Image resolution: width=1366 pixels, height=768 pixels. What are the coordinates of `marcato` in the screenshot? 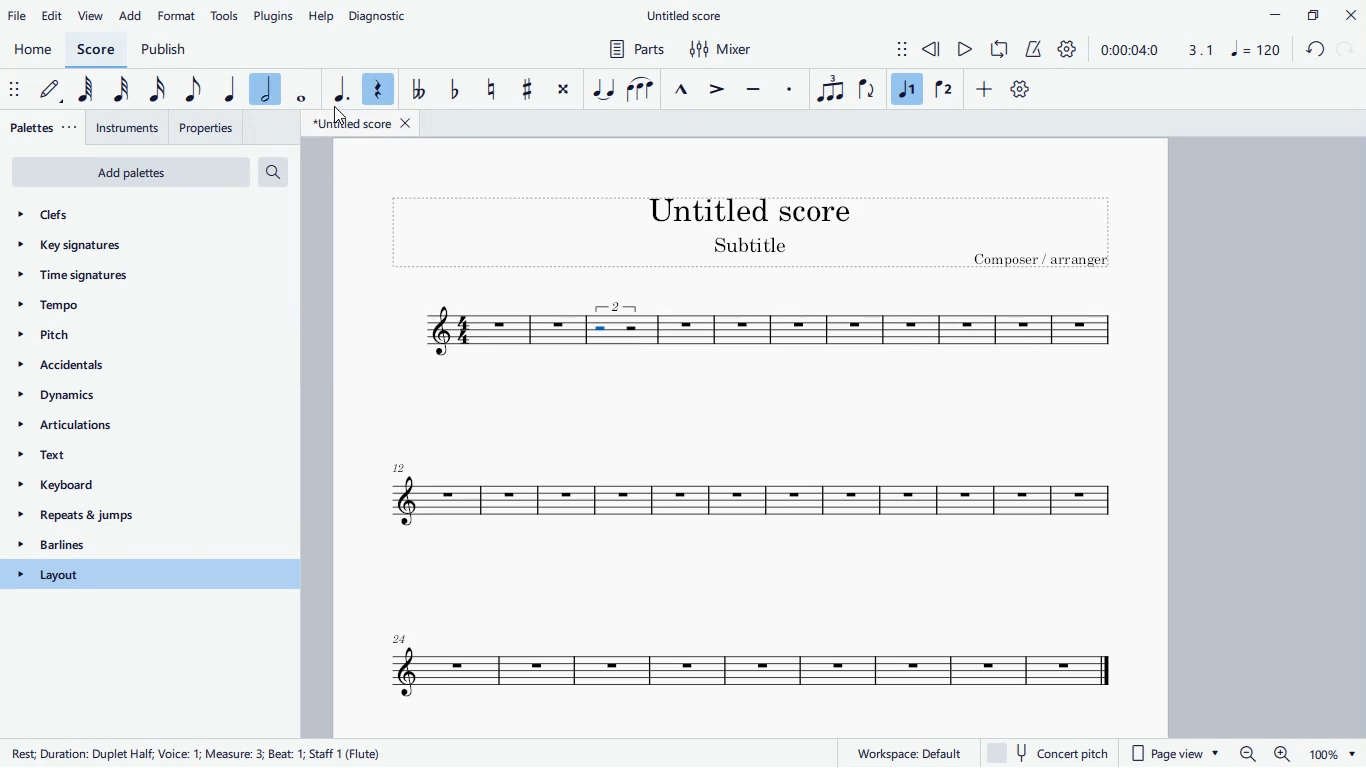 It's located at (685, 87).